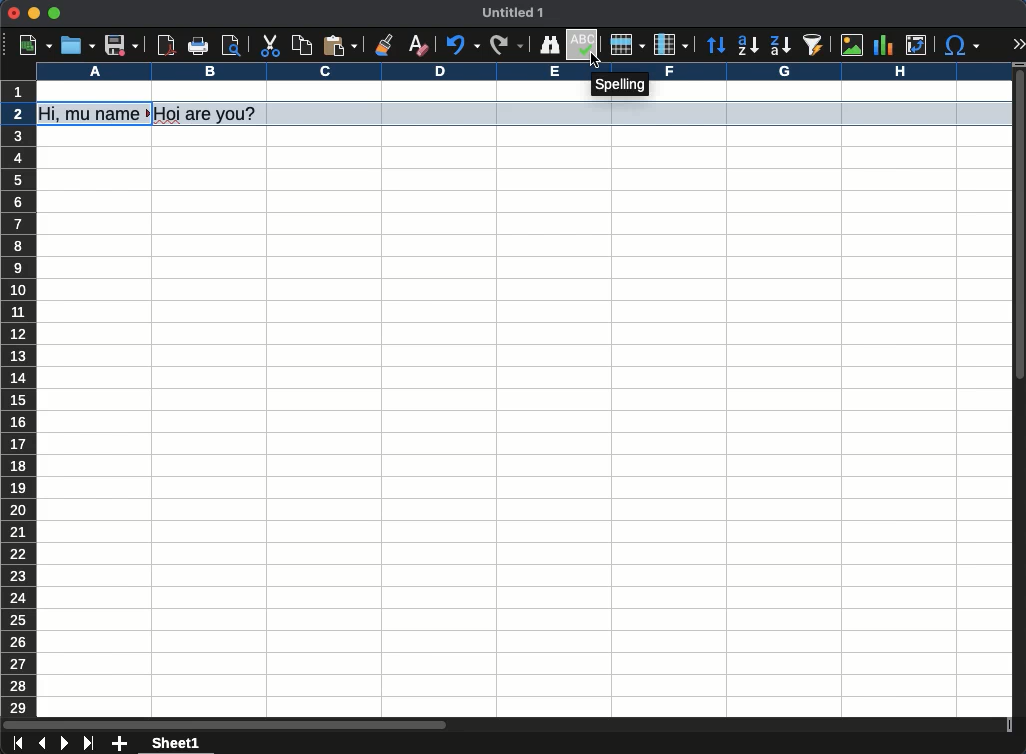  Describe the element at coordinates (91, 744) in the screenshot. I see `last sheet` at that location.